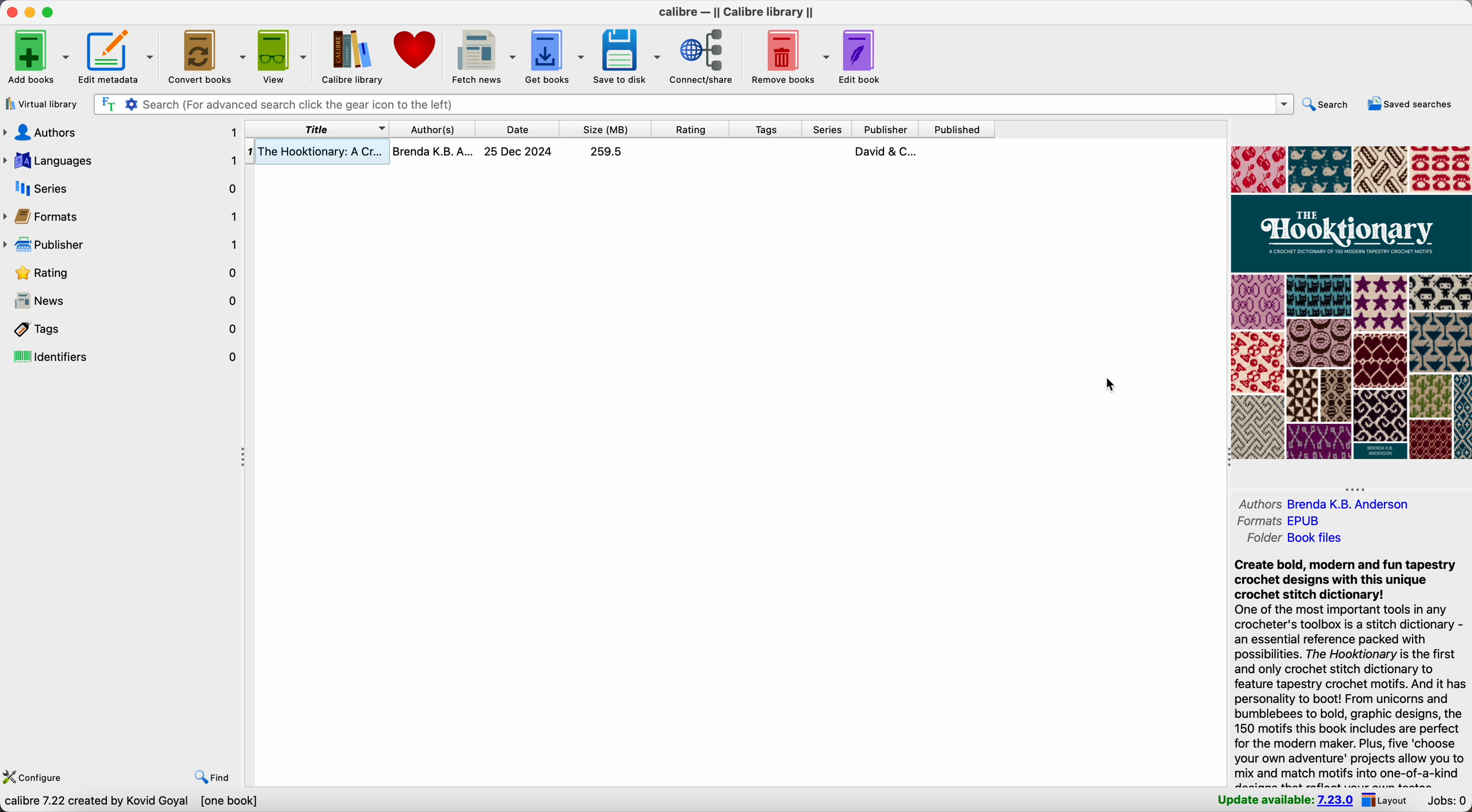 Image resolution: width=1472 pixels, height=812 pixels. What do you see at coordinates (692, 105) in the screenshot?
I see `search bar` at bounding box center [692, 105].